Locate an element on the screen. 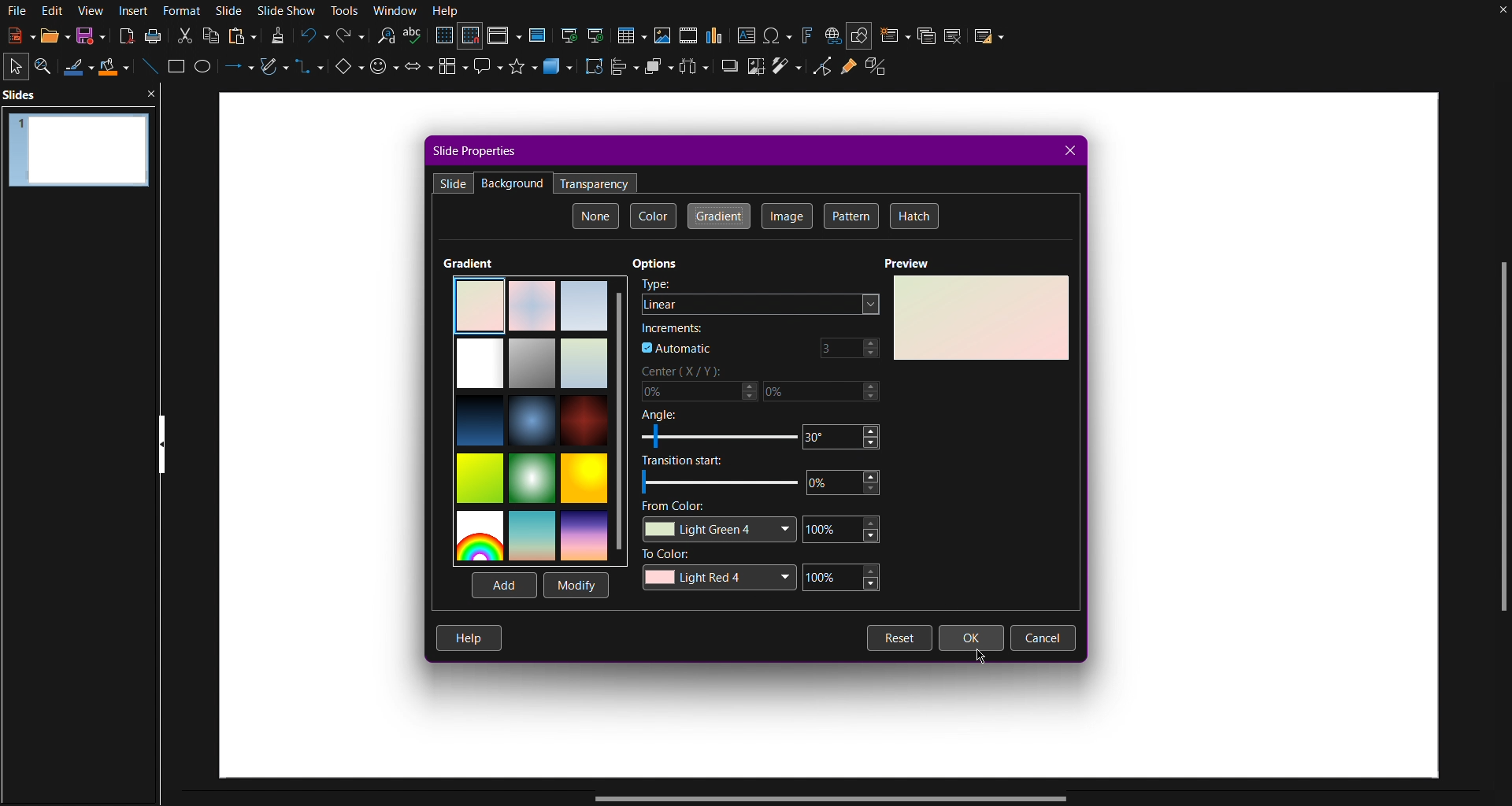  Start from current slide is located at coordinates (601, 34).